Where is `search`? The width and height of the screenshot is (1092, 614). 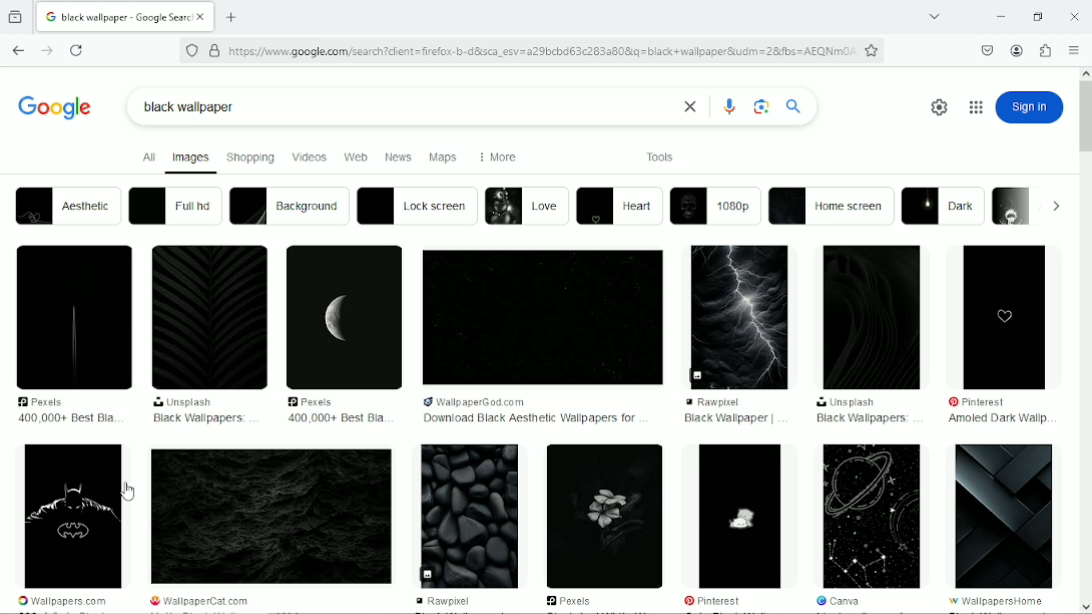 search is located at coordinates (794, 105).